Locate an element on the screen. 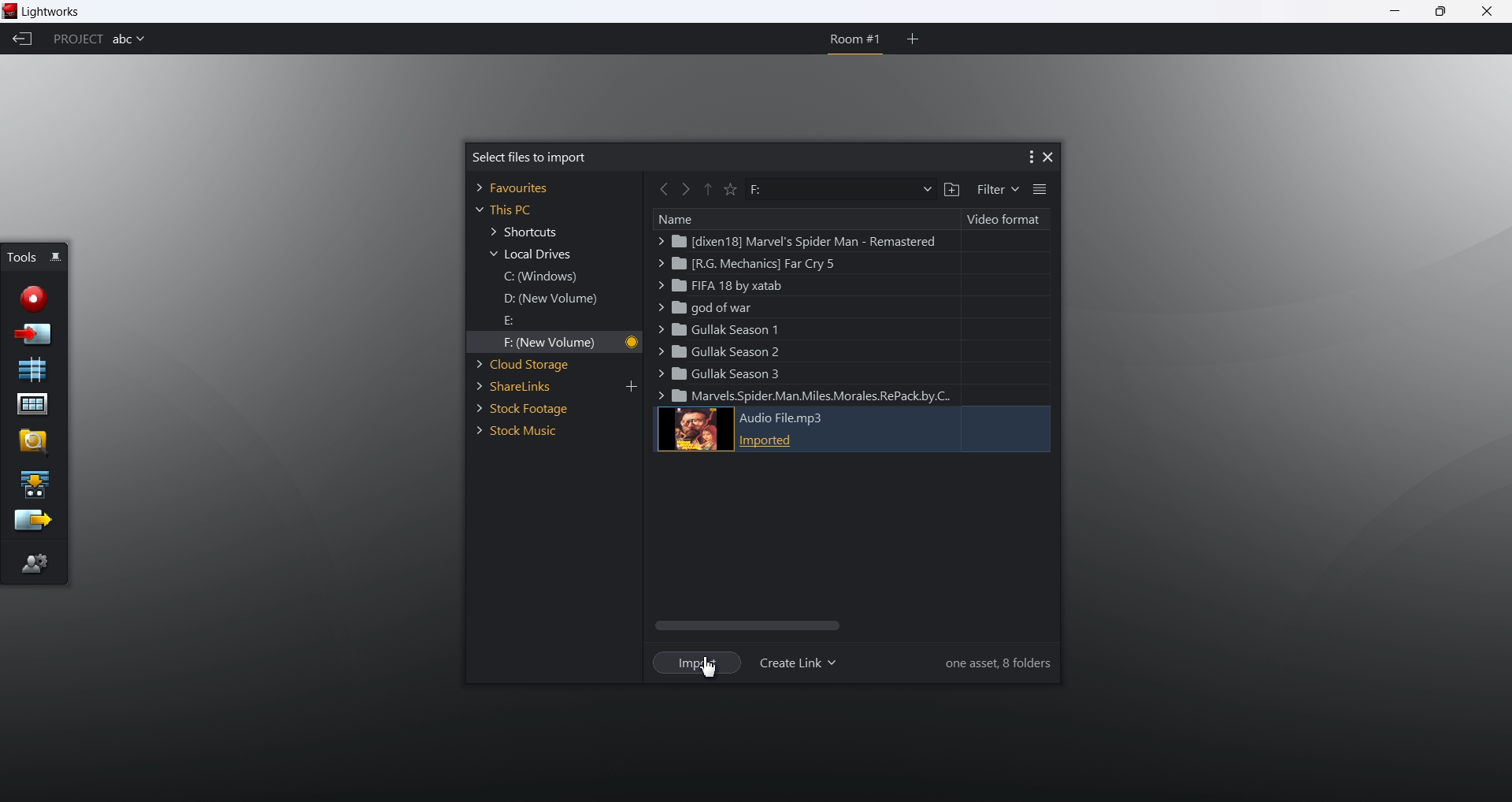 The image size is (1512, 802). export sequence is located at coordinates (31, 522).